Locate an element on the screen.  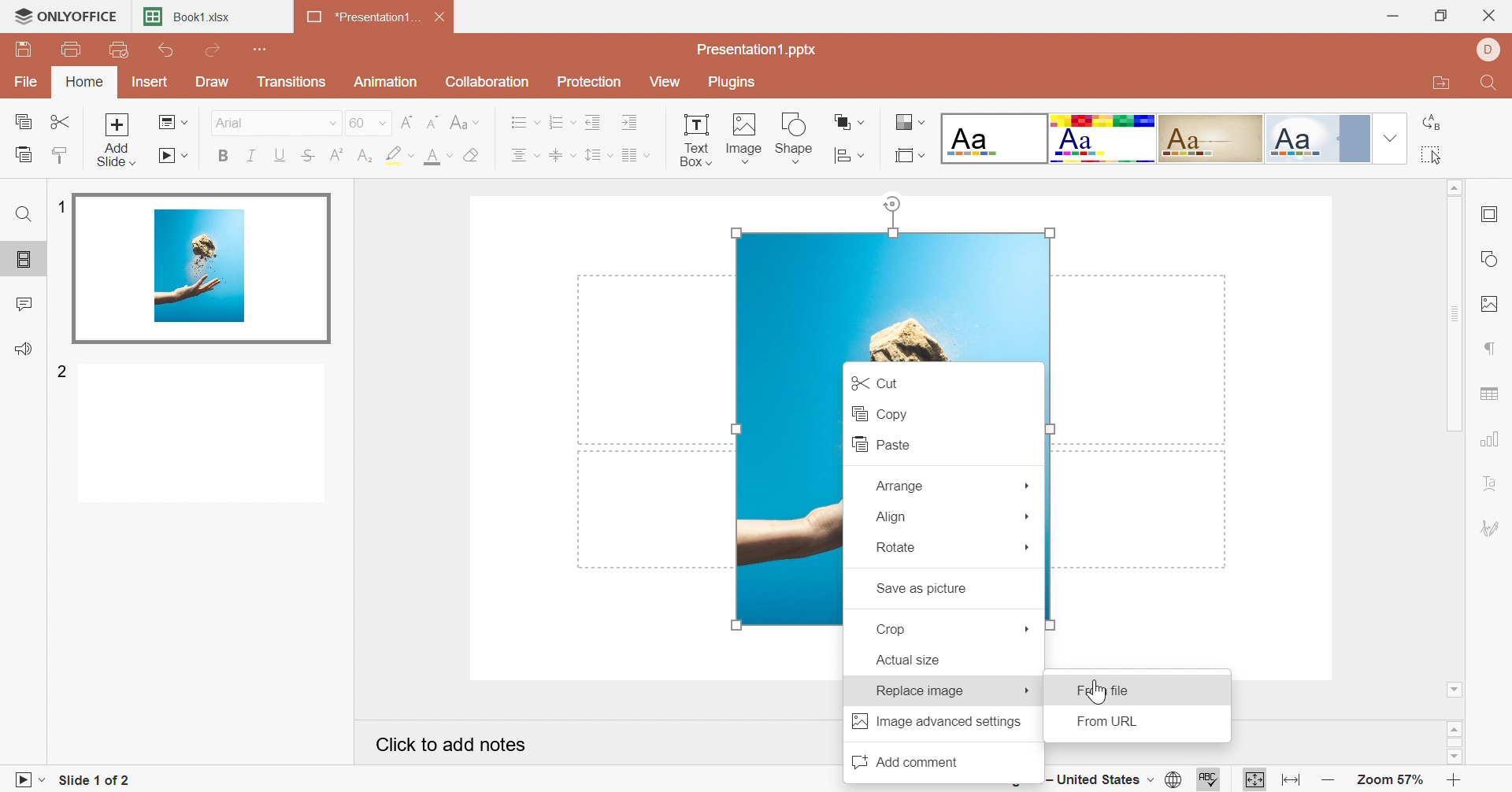
Rotate is located at coordinates (896, 547).